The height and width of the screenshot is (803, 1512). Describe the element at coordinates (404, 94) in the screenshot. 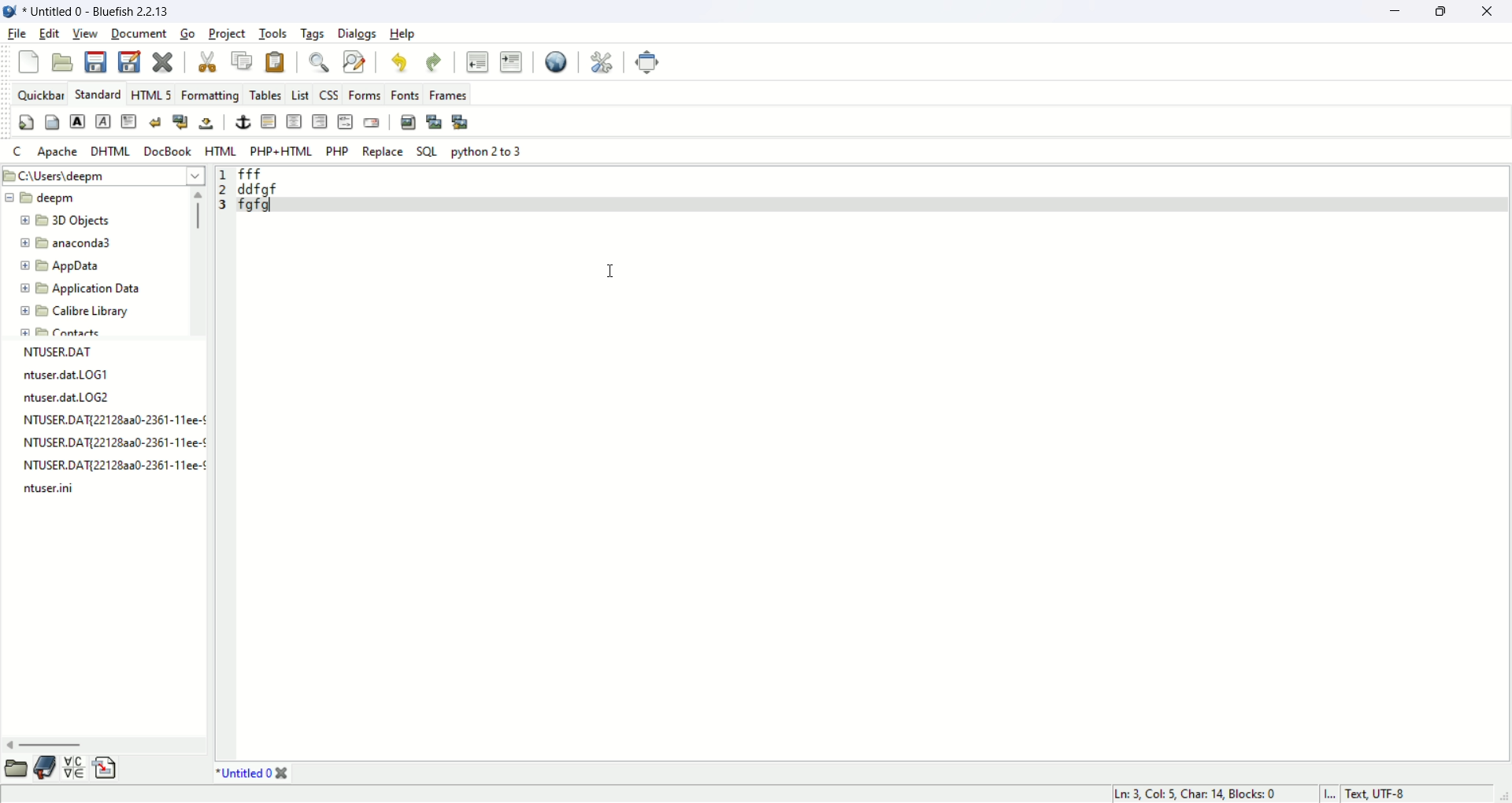

I see `fonts` at that location.